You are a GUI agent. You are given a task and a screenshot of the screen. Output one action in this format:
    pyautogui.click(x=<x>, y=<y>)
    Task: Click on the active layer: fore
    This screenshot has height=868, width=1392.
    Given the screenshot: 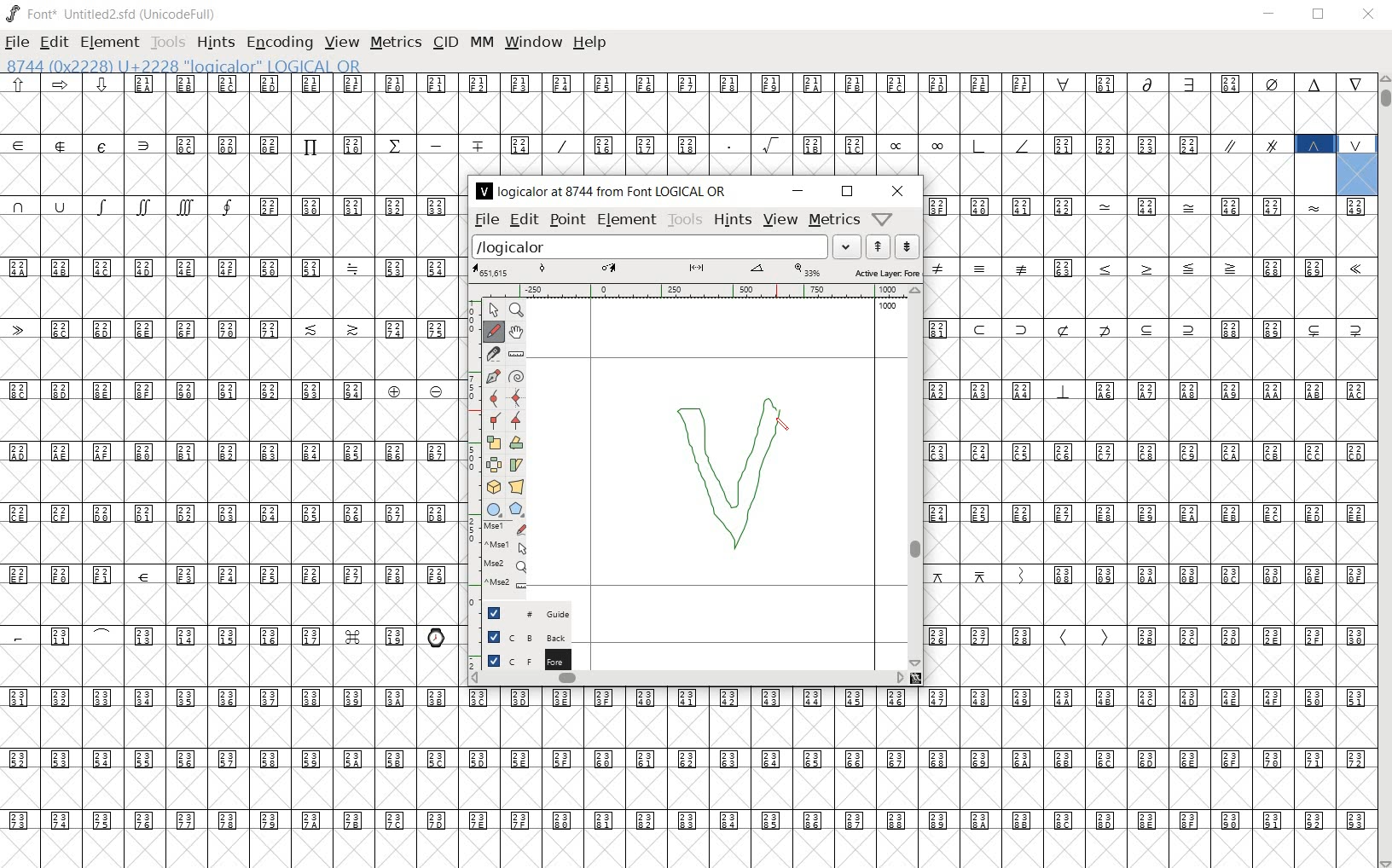 What is the action you would take?
    pyautogui.click(x=693, y=272)
    